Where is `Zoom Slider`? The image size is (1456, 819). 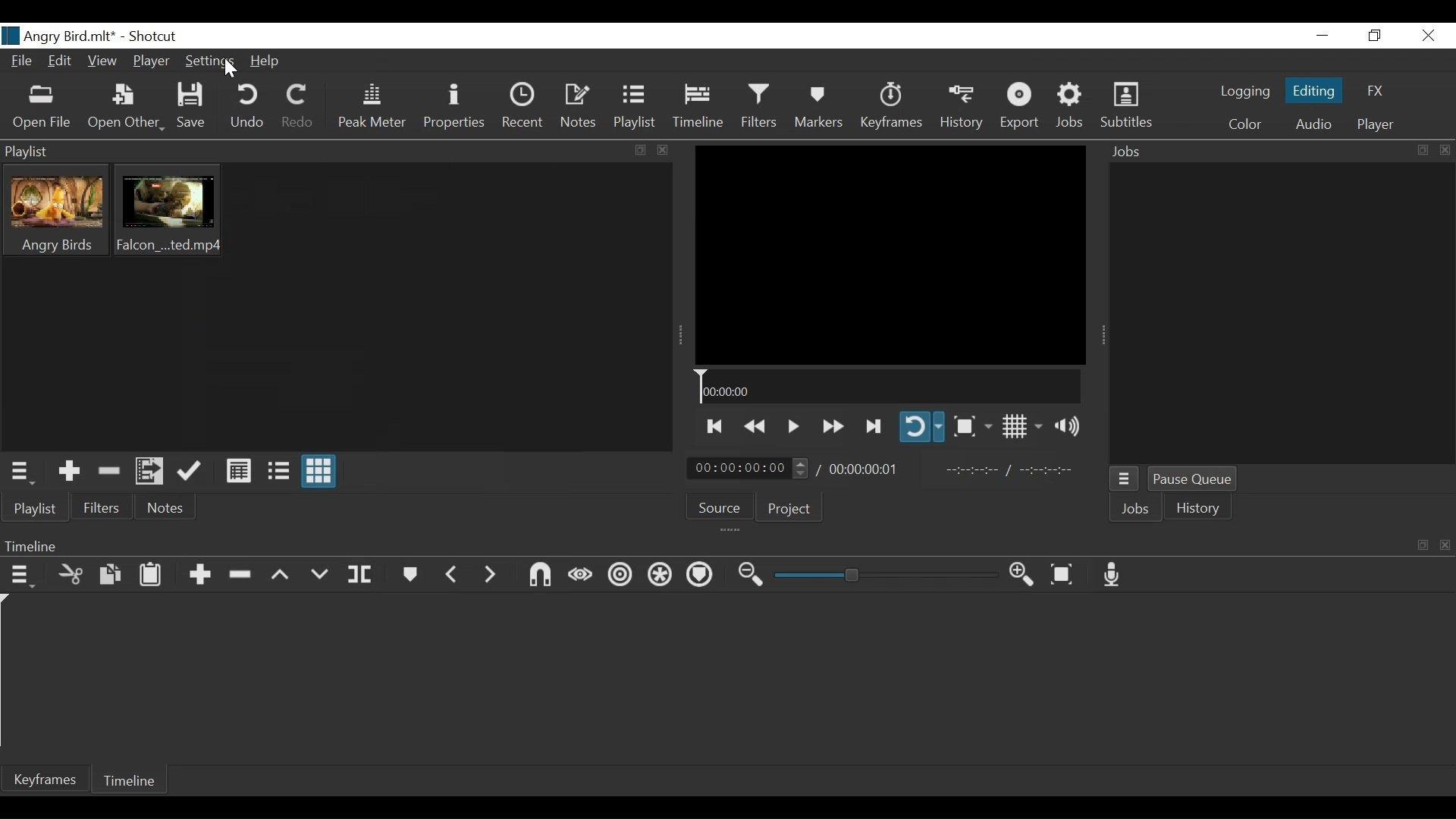 Zoom Slider is located at coordinates (885, 575).